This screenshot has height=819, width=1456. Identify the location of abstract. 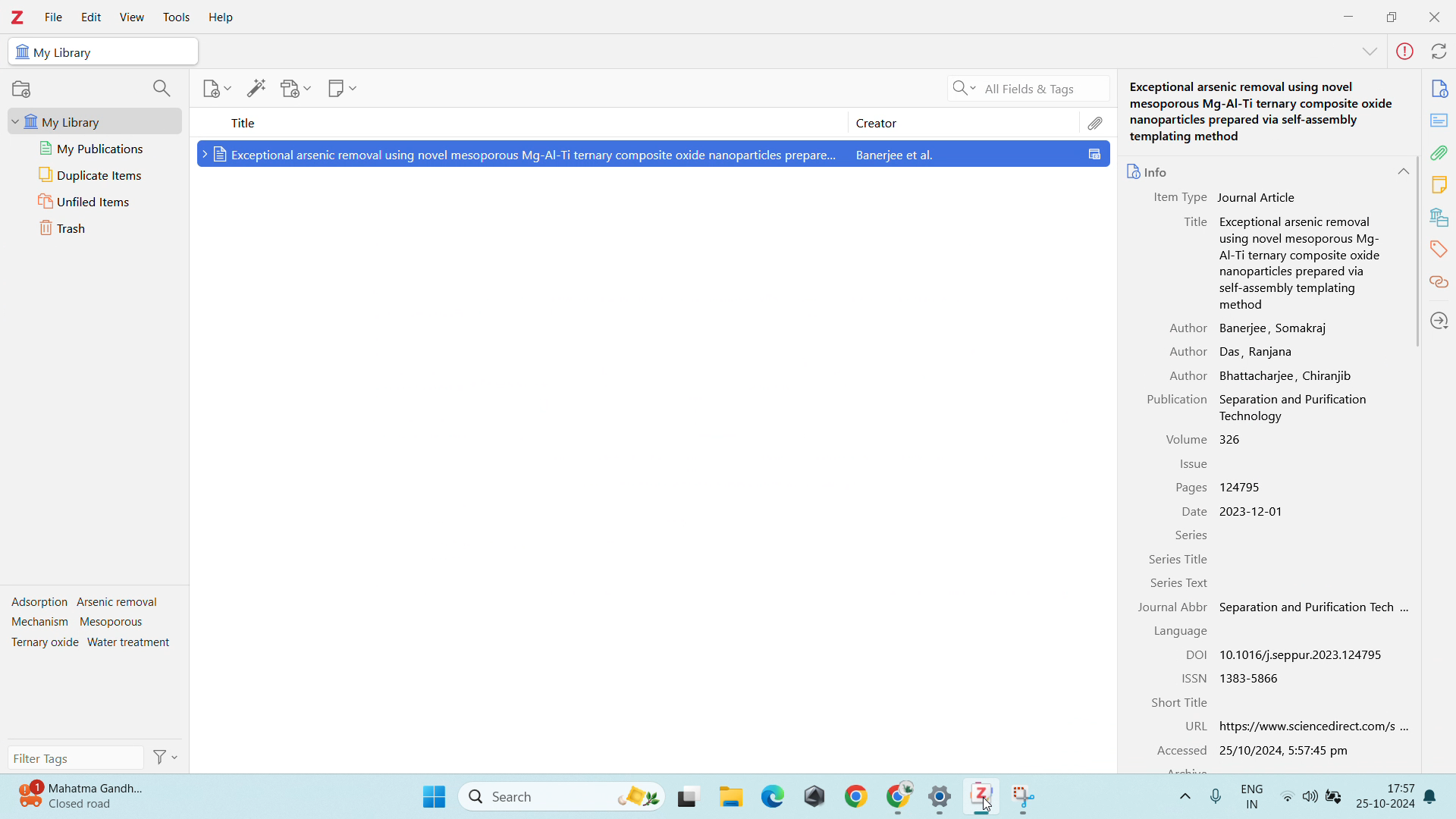
(1438, 120).